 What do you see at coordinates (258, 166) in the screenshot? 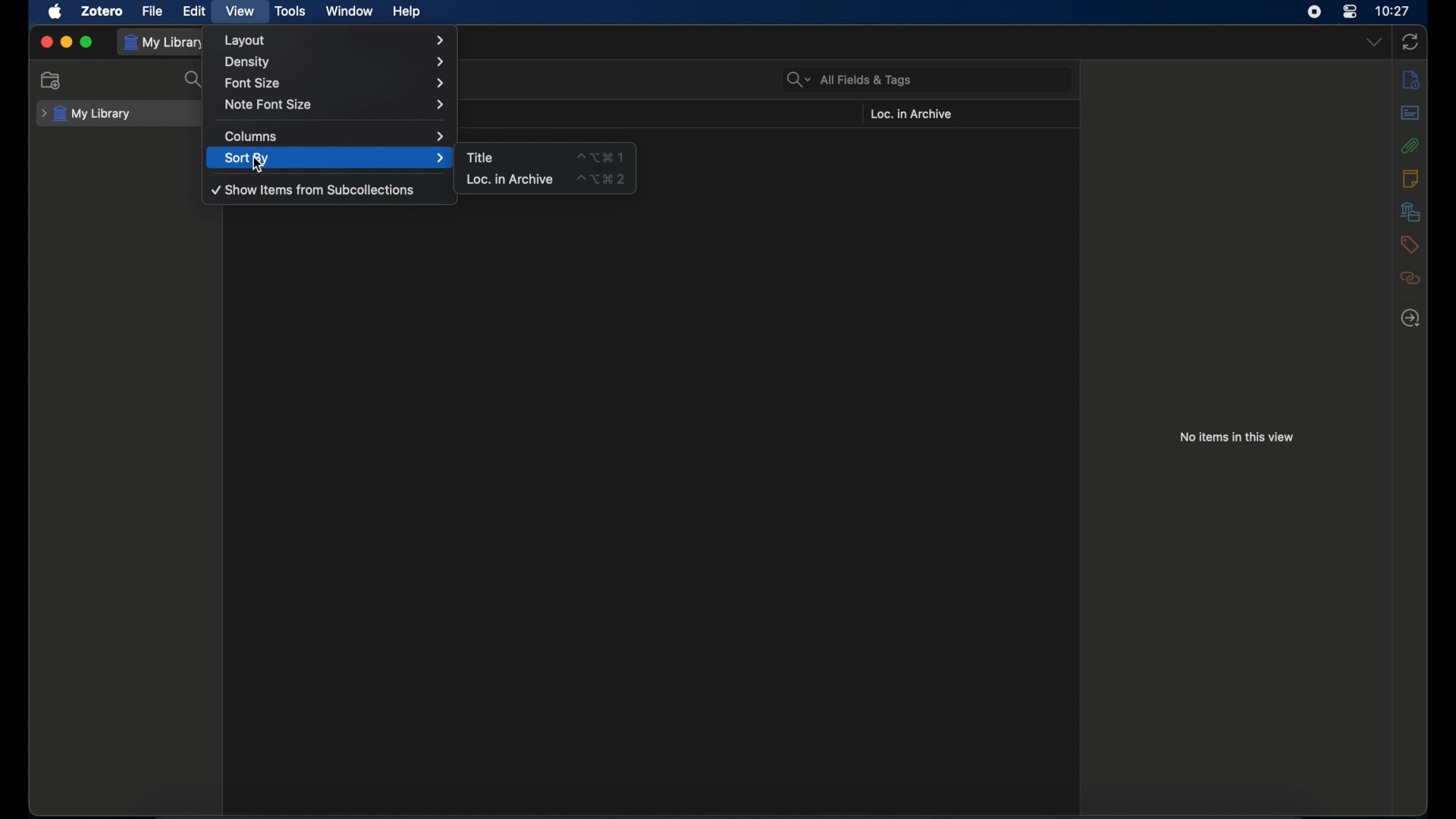
I see `cursor` at bounding box center [258, 166].